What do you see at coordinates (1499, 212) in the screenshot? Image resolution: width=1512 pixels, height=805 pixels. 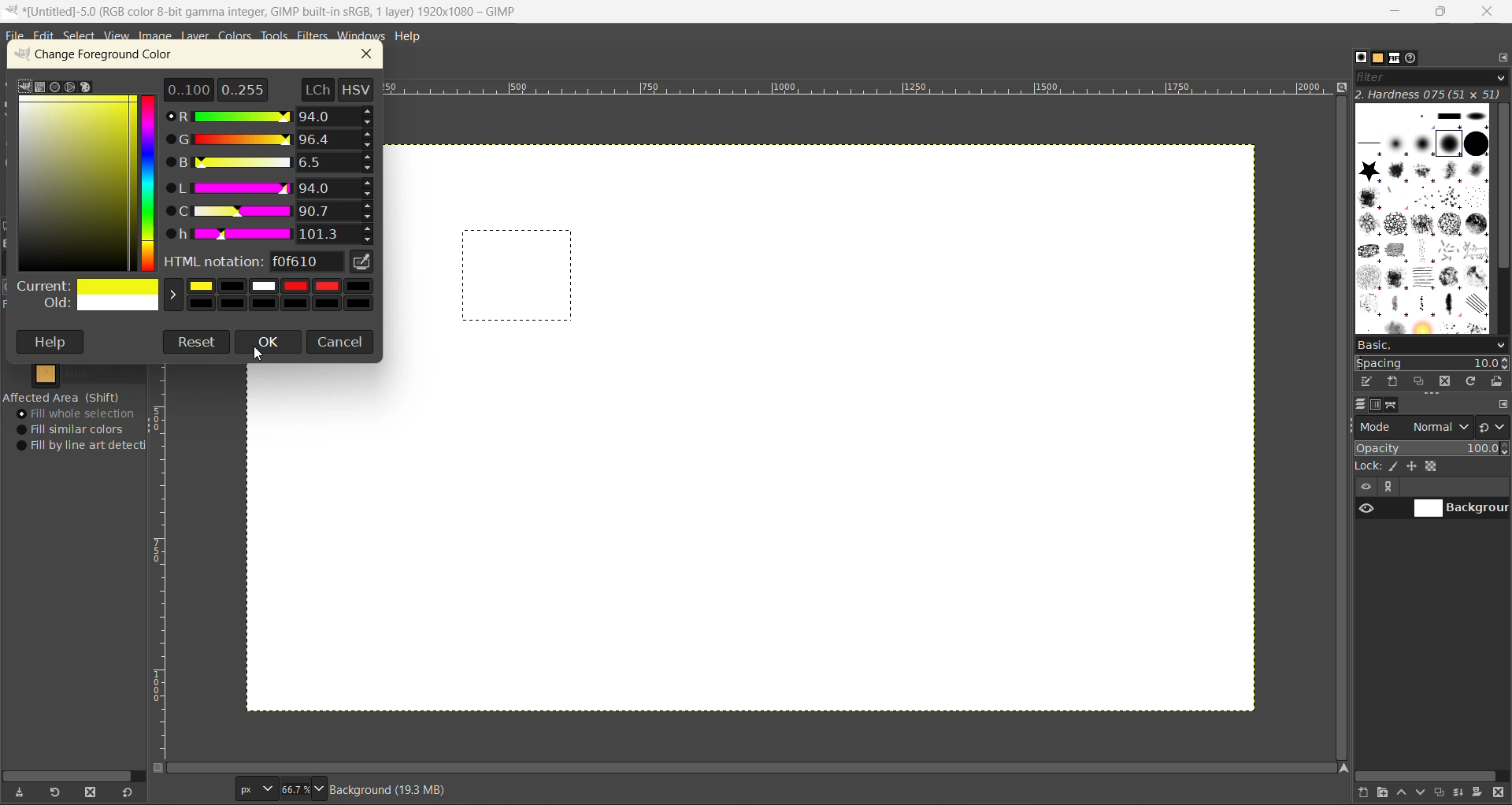 I see `vertical scroll bar` at bounding box center [1499, 212].